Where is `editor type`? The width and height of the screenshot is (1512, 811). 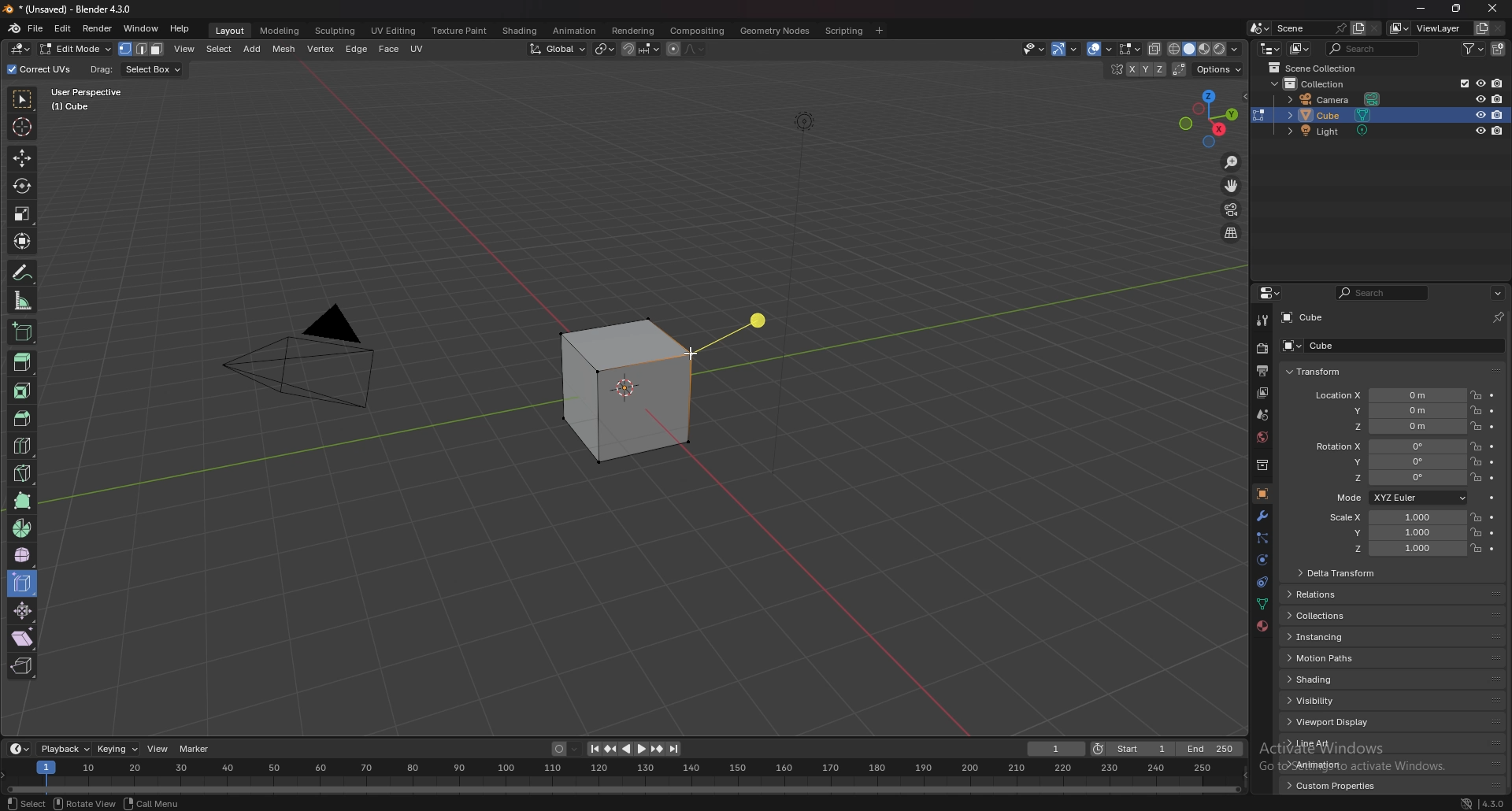 editor type is located at coordinates (20, 49).